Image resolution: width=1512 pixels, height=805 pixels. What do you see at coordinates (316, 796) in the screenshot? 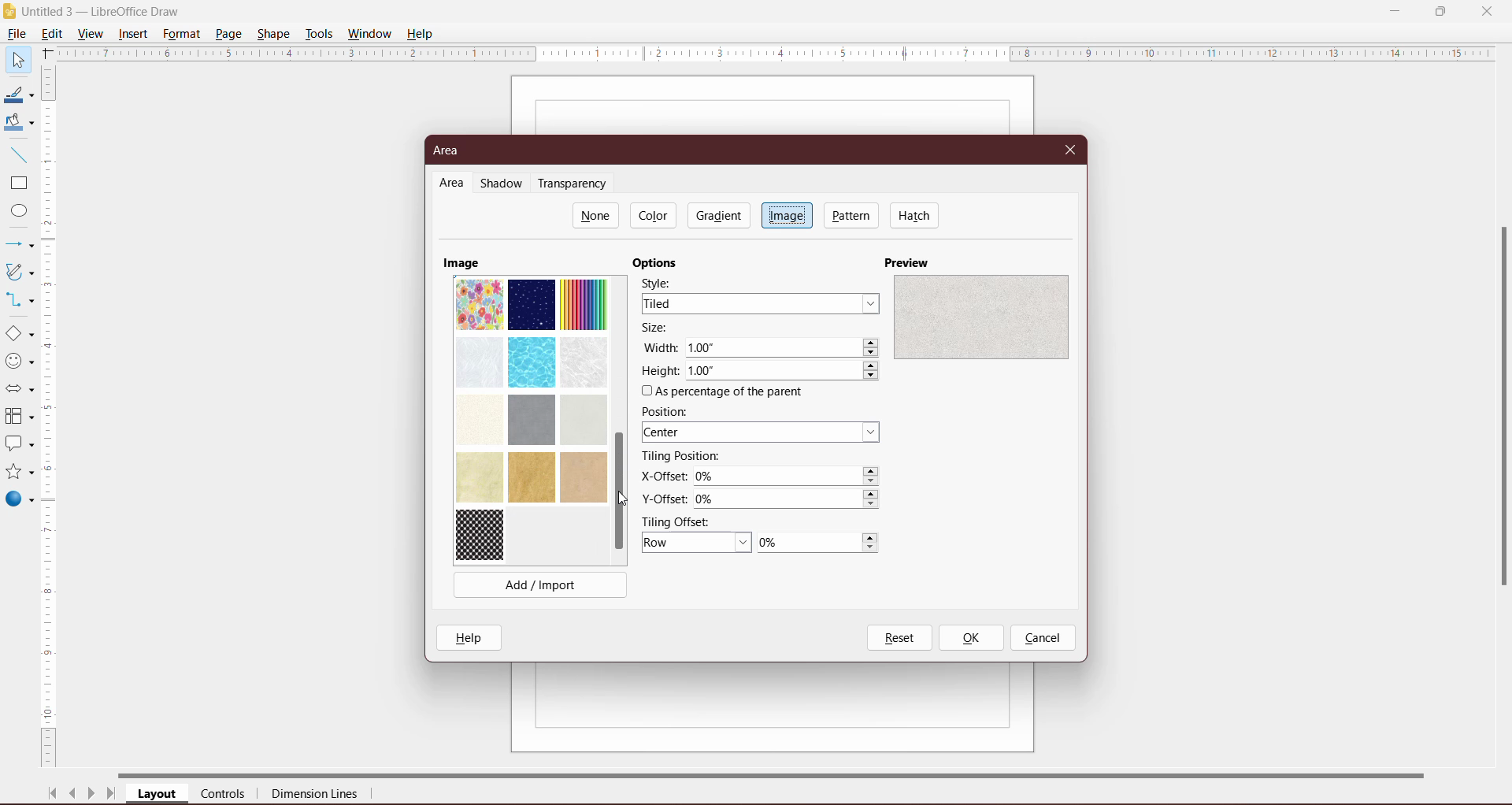
I see `Dimension Lines` at bounding box center [316, 796].